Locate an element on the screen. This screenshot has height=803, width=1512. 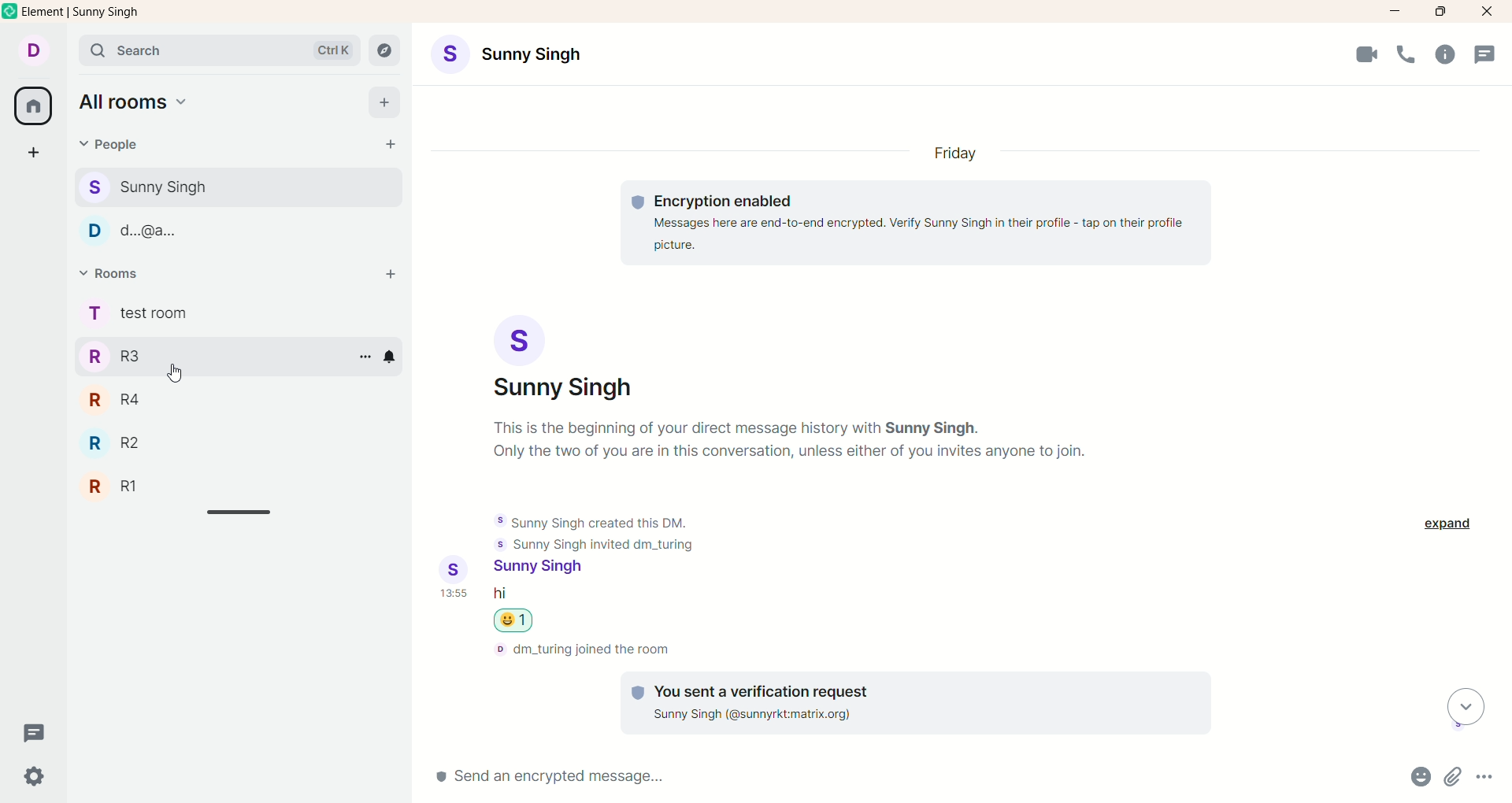
element is located at coordinates (81, 14).